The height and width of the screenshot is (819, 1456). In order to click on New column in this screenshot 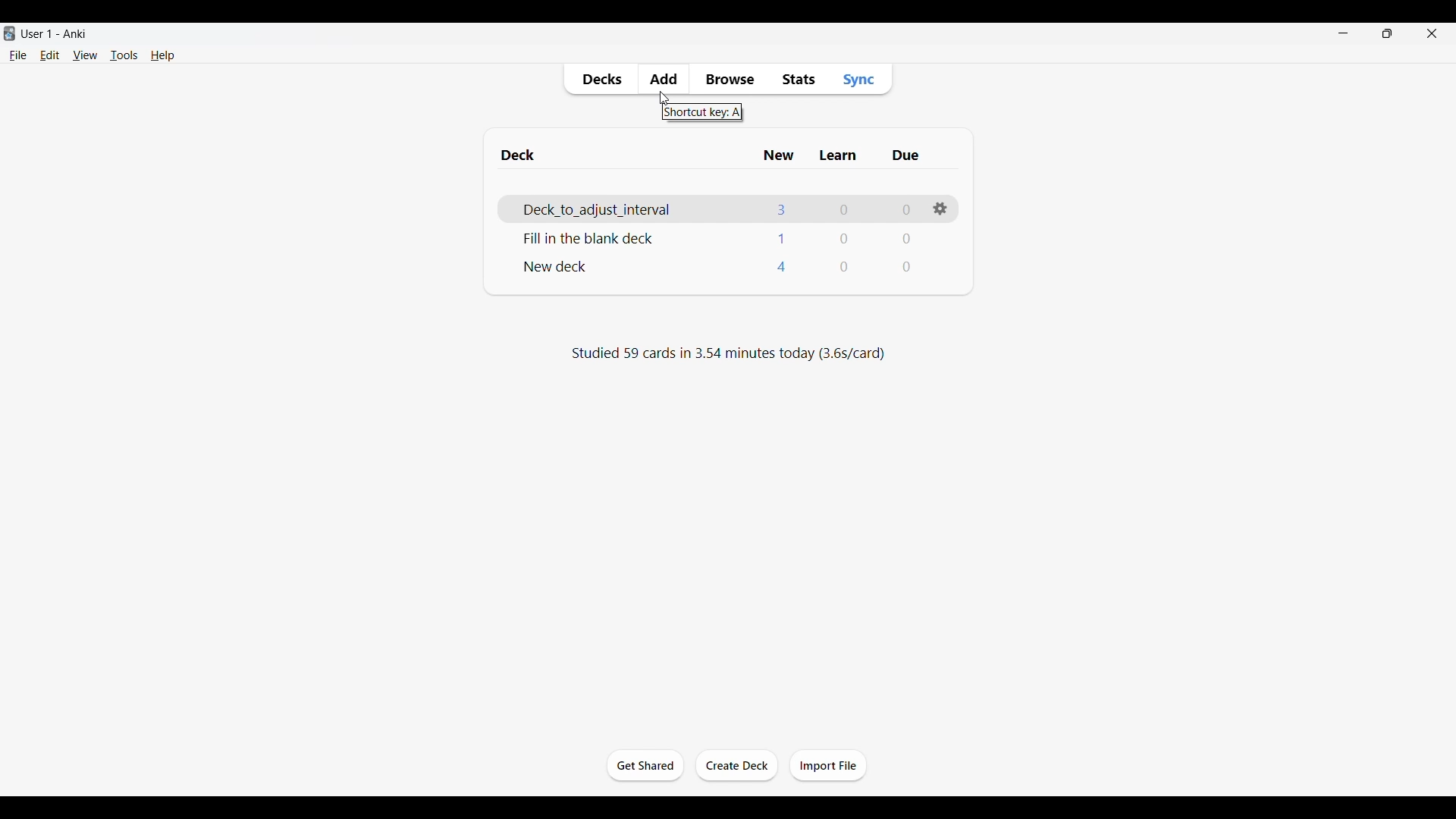, I will do `click(779, 155)`.